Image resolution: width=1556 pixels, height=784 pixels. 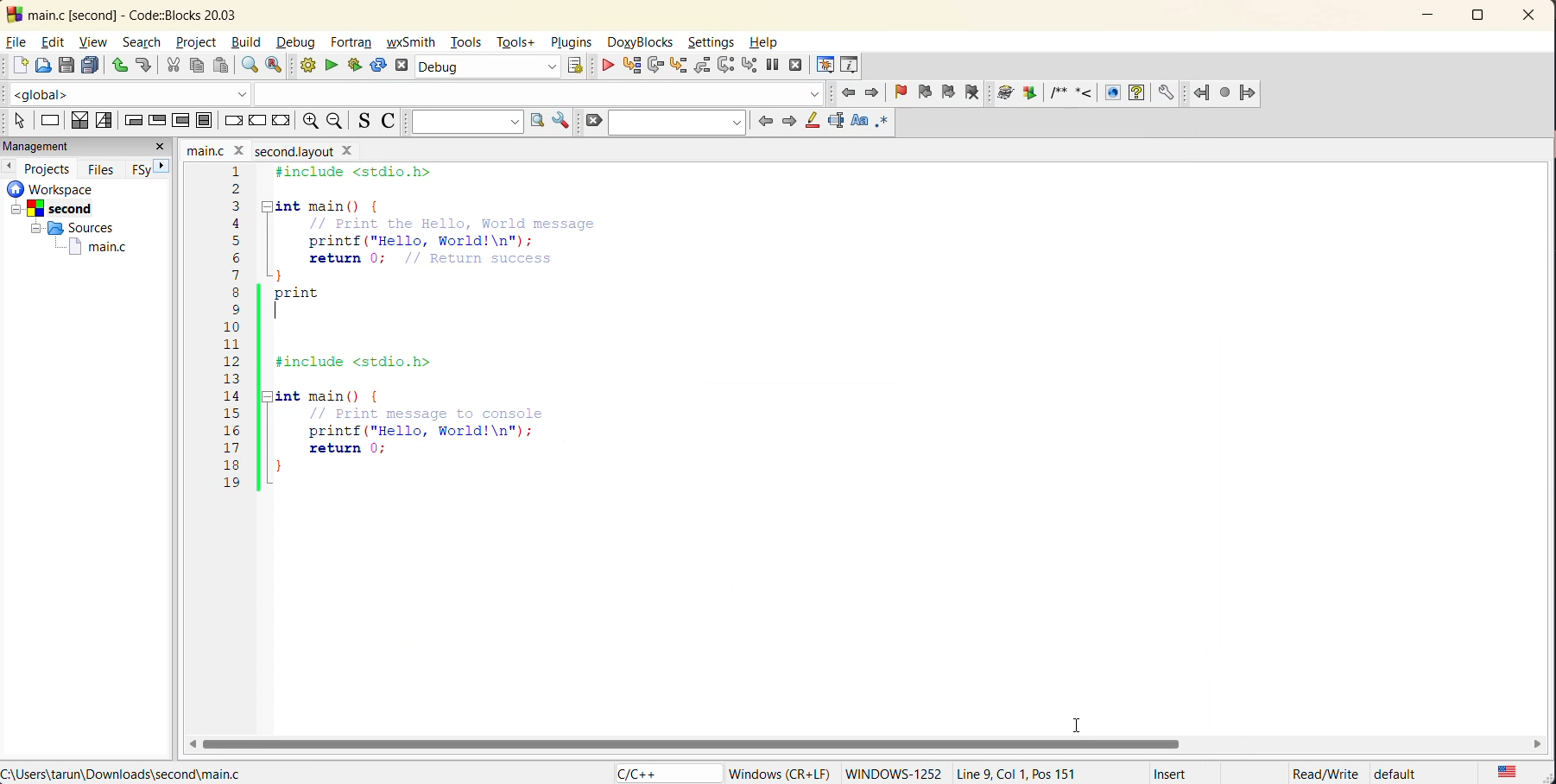 I want to click on run to cursor, so click(x=632, y=67).